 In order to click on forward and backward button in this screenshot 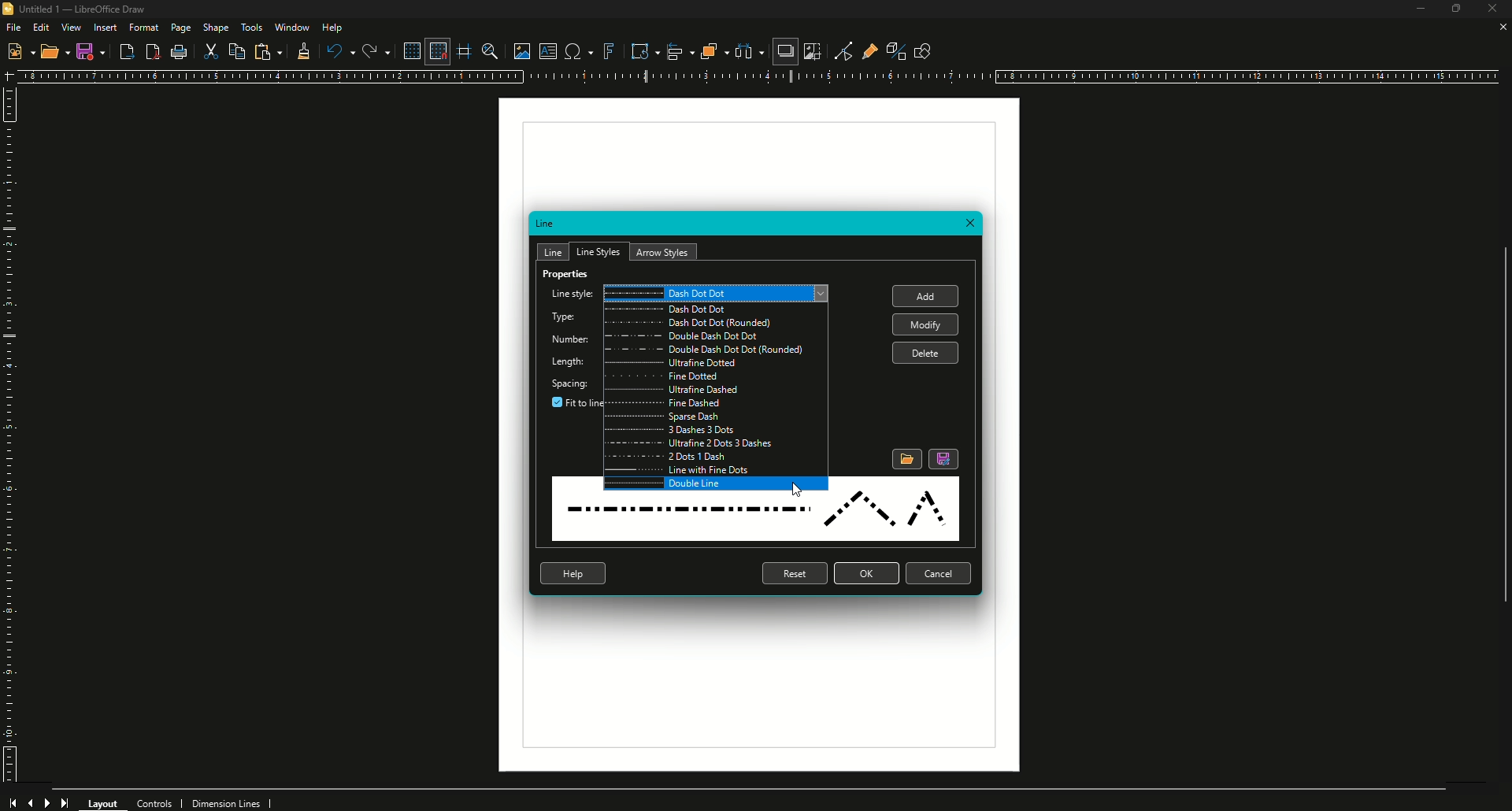, I will do `click(40, 801)`.